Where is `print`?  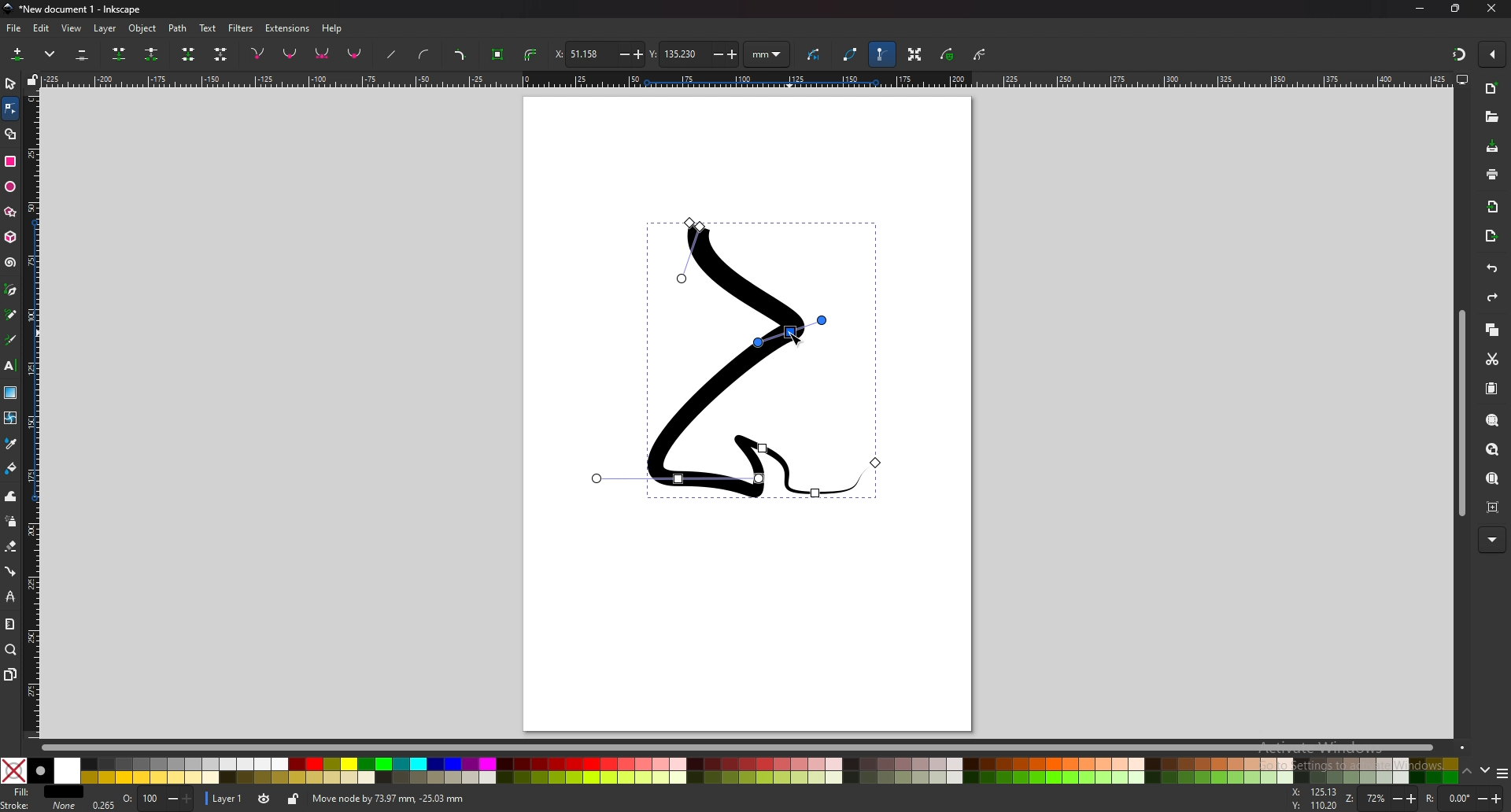
print is located at coordinates (1492, 173).